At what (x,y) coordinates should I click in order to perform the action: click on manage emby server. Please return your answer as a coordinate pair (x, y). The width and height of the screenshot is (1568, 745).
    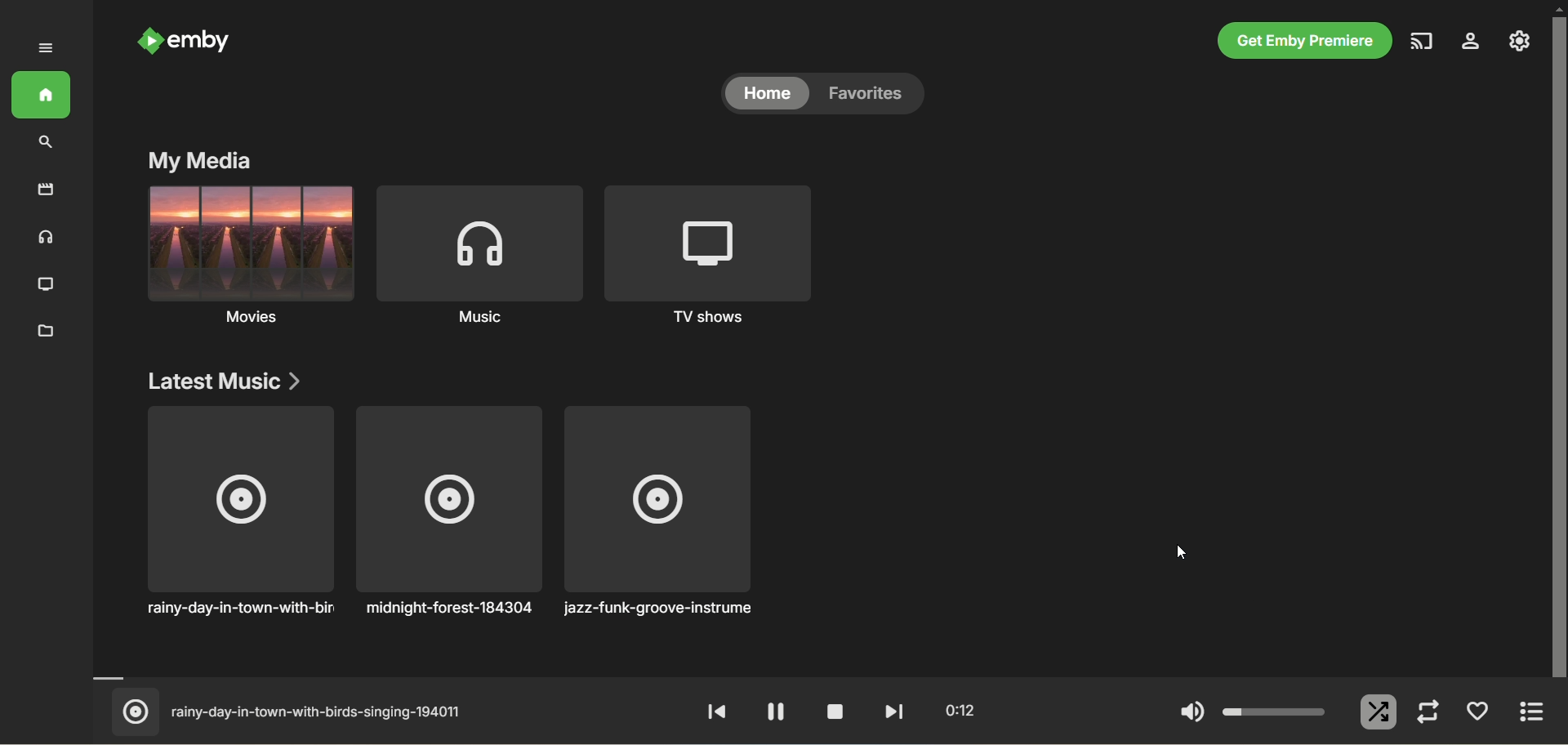
    Looking at the image, I should click on (1521, 43).